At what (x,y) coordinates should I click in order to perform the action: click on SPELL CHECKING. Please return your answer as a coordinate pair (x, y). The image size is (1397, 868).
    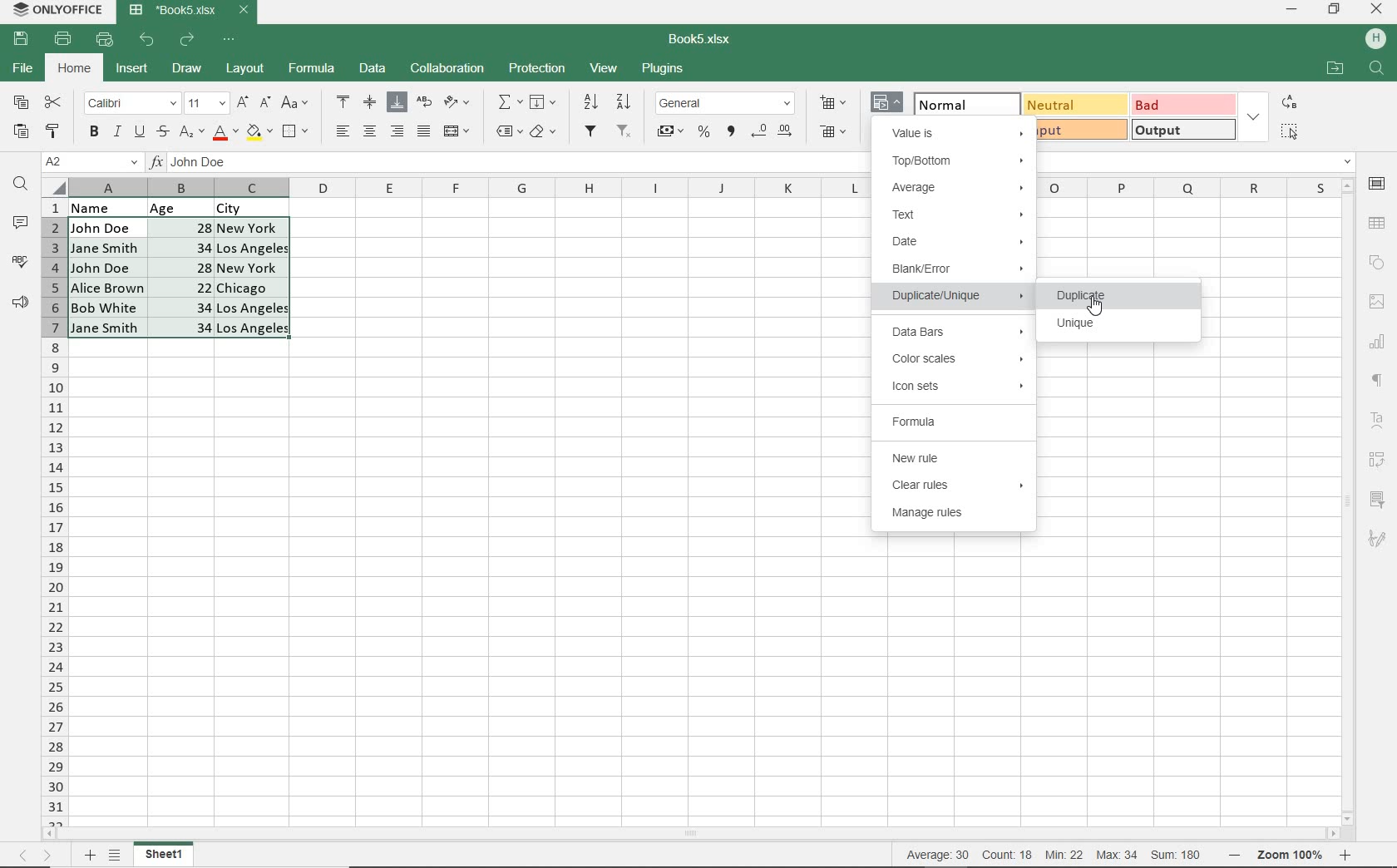
    Looking at the image, I should click on (20, 262).